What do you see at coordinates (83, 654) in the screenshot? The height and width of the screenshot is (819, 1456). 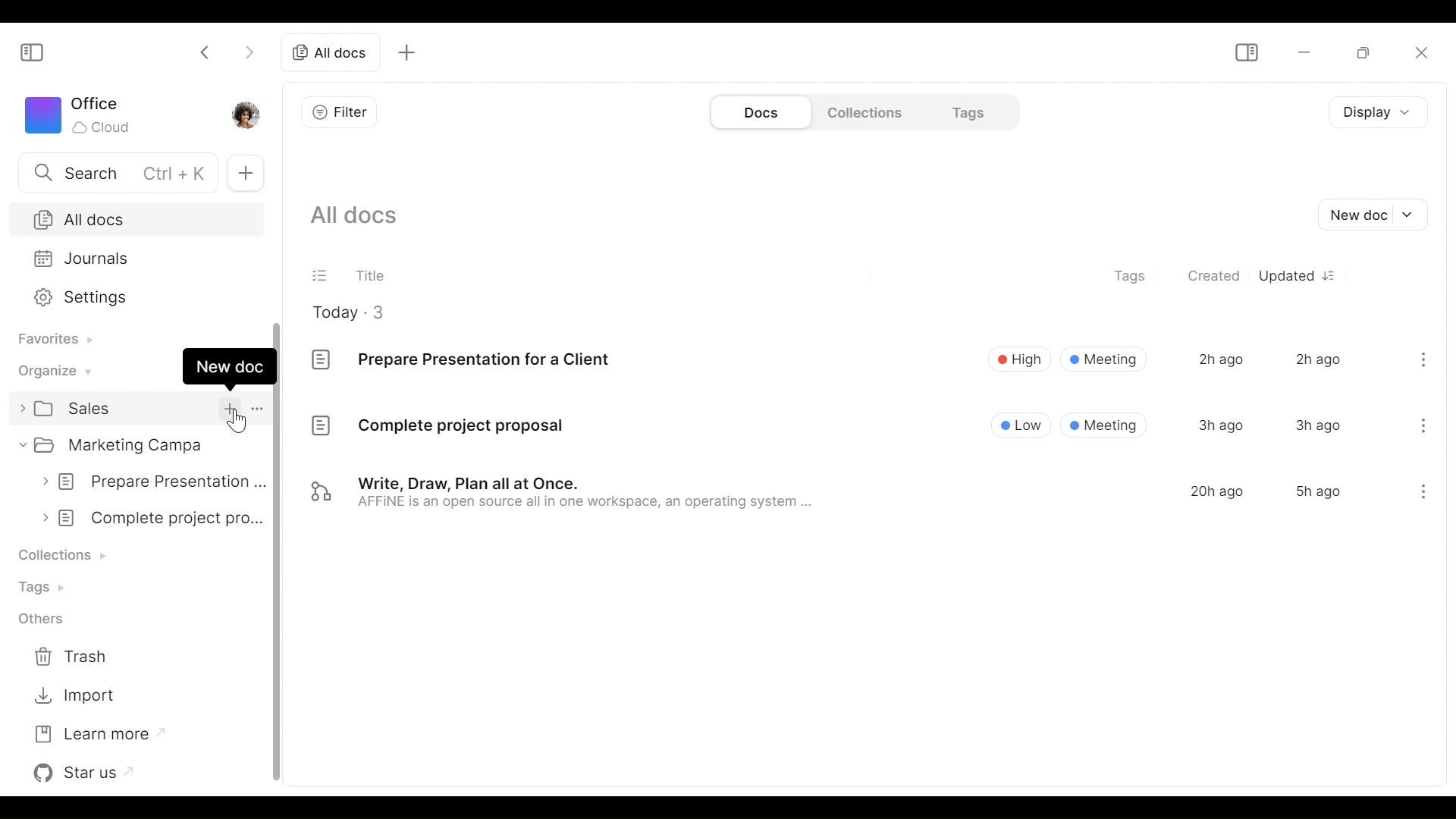 I see `Trash` at bounding box center [83, 654].